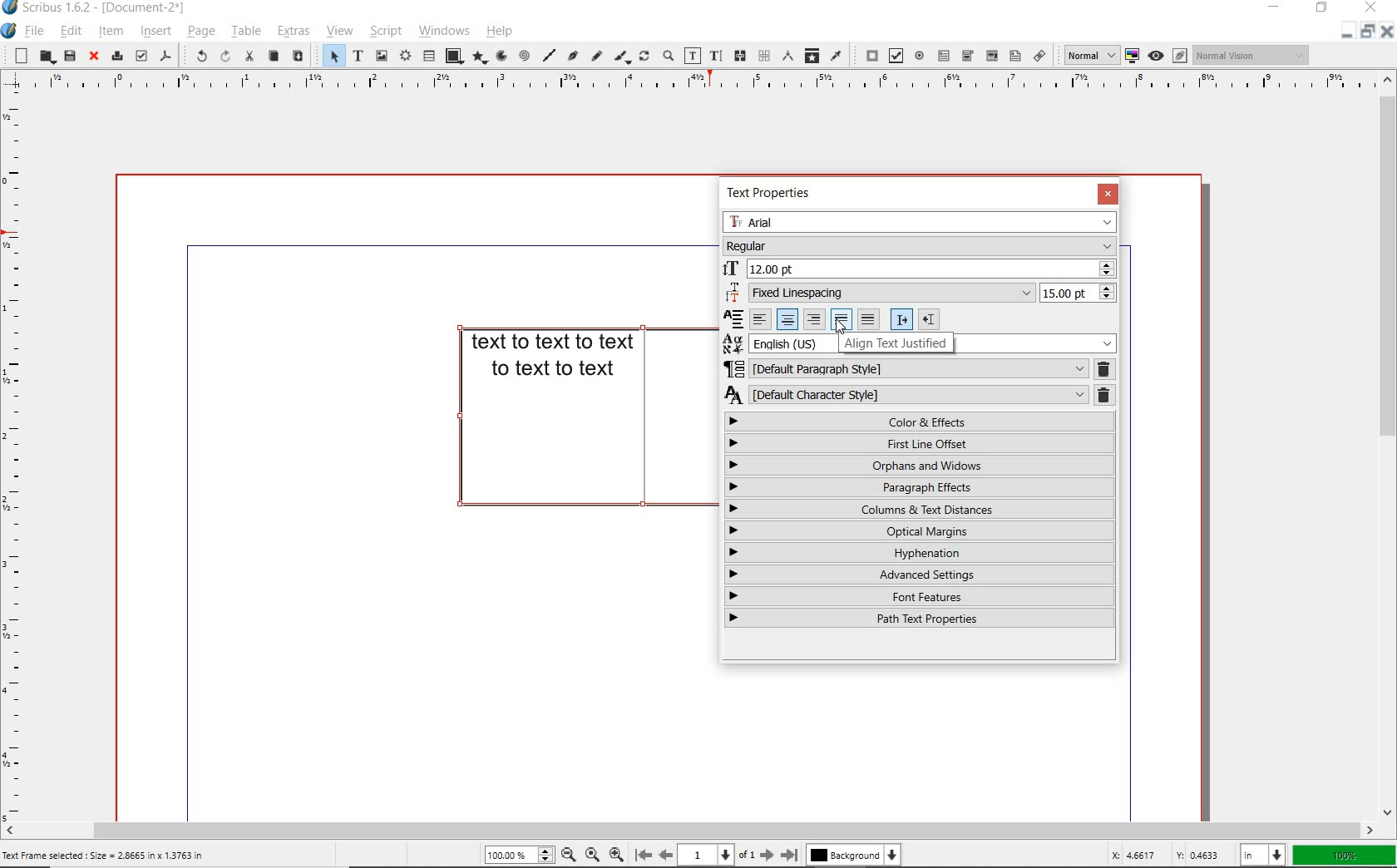  What do you see at coordinates (499, 57) in the screenshot?
I see `arc` at bounding box center [499, 57].